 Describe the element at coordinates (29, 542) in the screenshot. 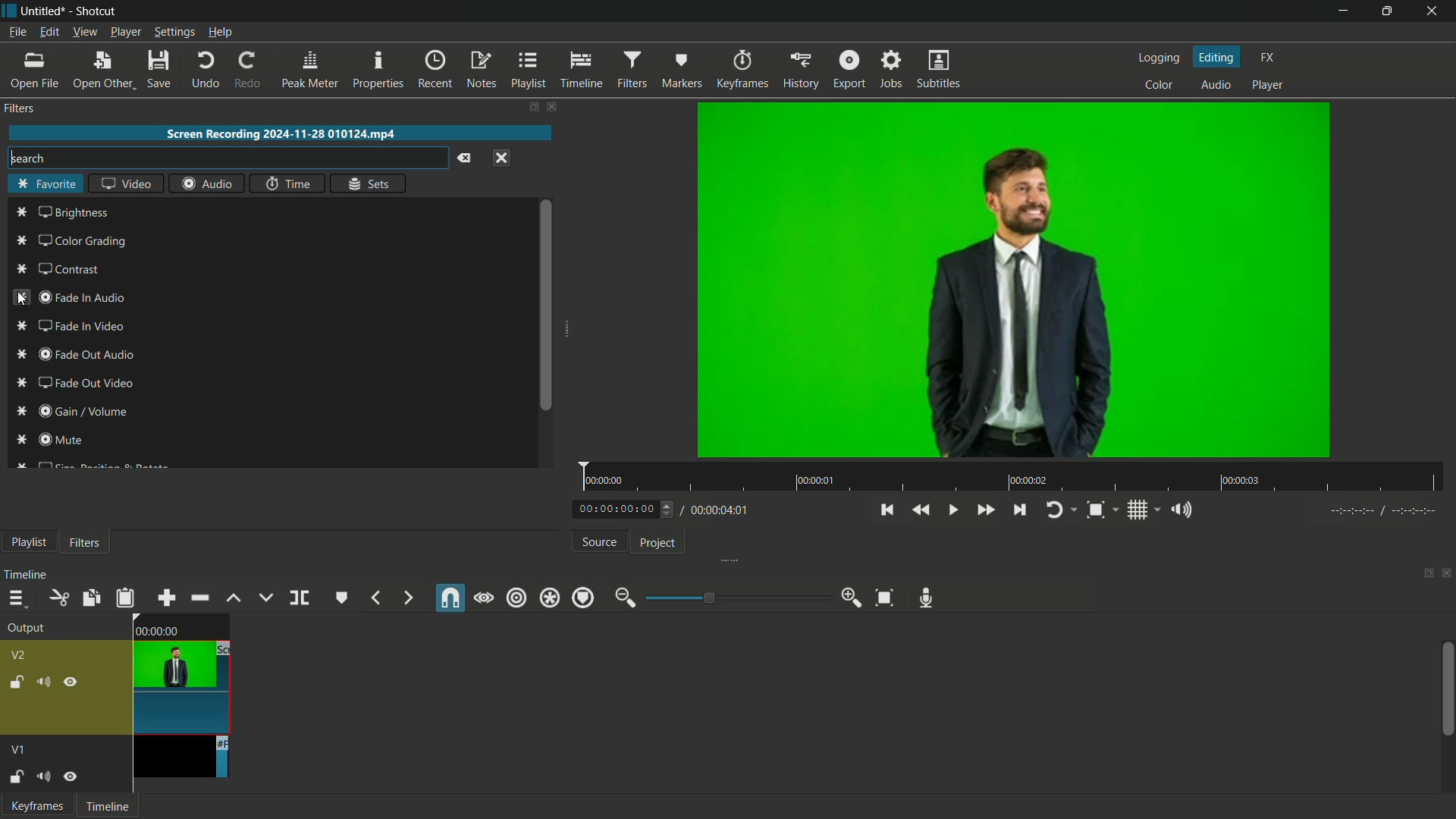

I see `playlist` at that location.